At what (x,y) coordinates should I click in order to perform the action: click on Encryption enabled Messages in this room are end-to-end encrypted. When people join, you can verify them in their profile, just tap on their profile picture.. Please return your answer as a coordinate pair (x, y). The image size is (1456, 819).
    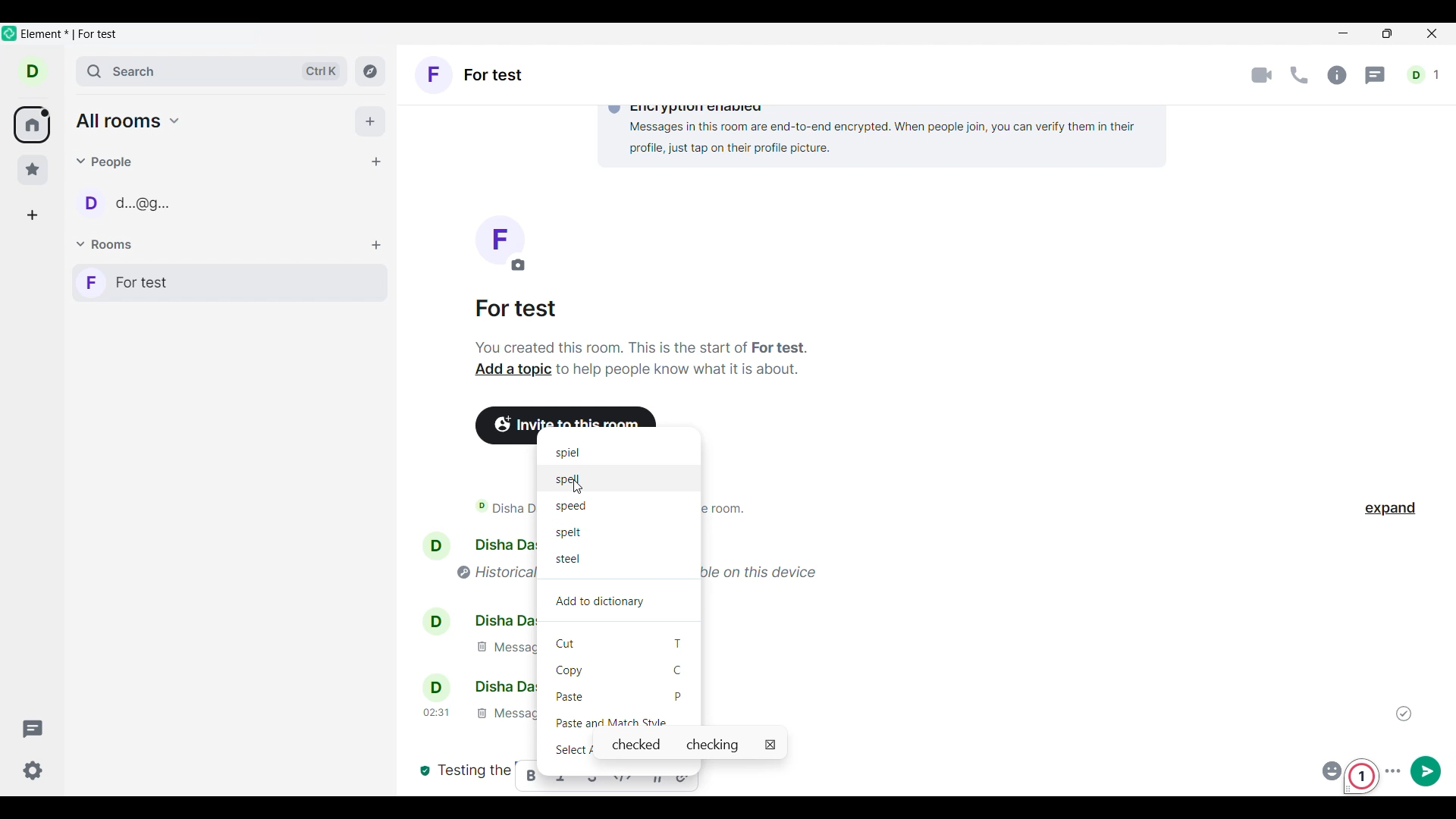
    Looking at the image, I should click on (876, 131).